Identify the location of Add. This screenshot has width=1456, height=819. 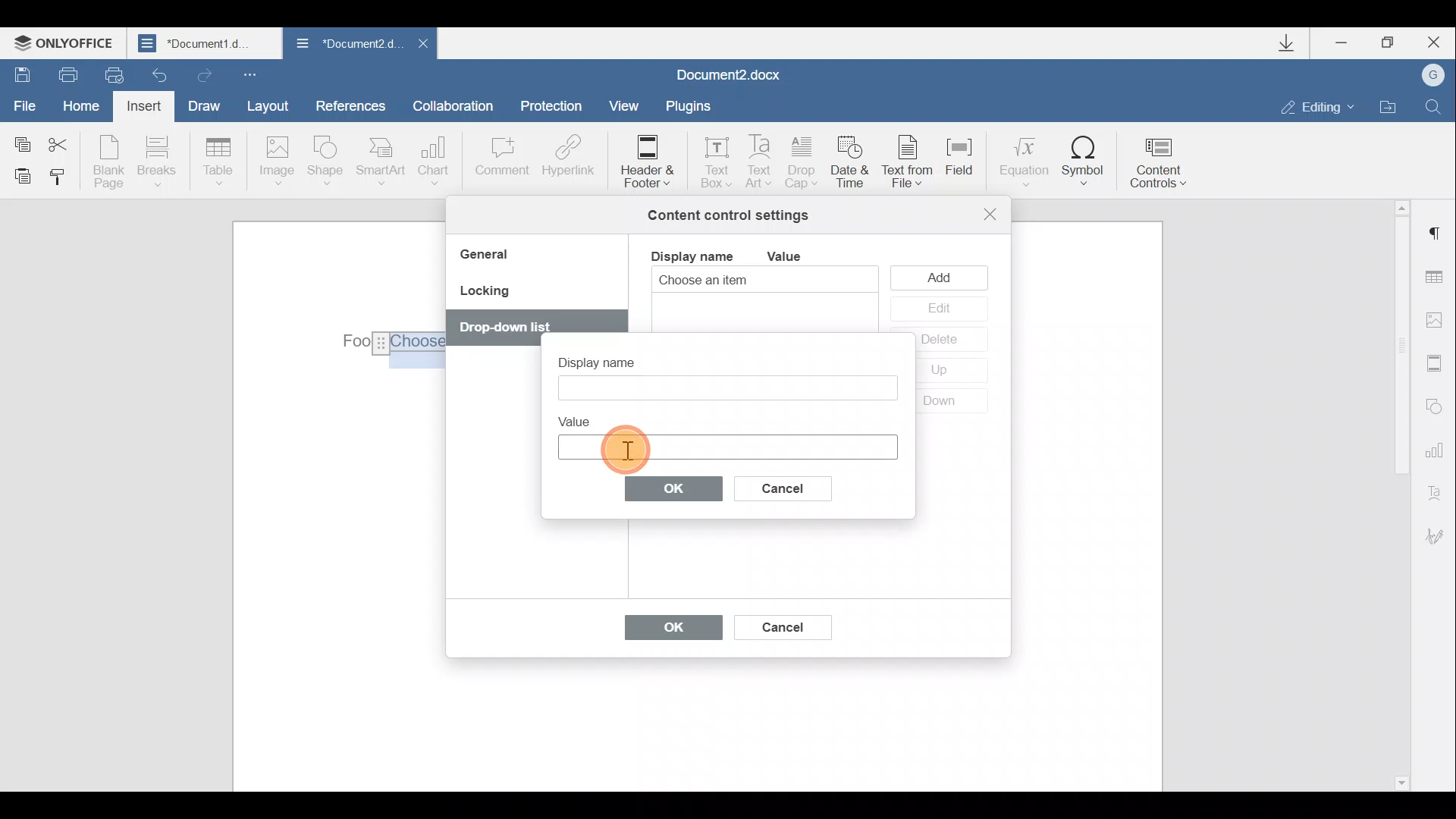
(943, 277).